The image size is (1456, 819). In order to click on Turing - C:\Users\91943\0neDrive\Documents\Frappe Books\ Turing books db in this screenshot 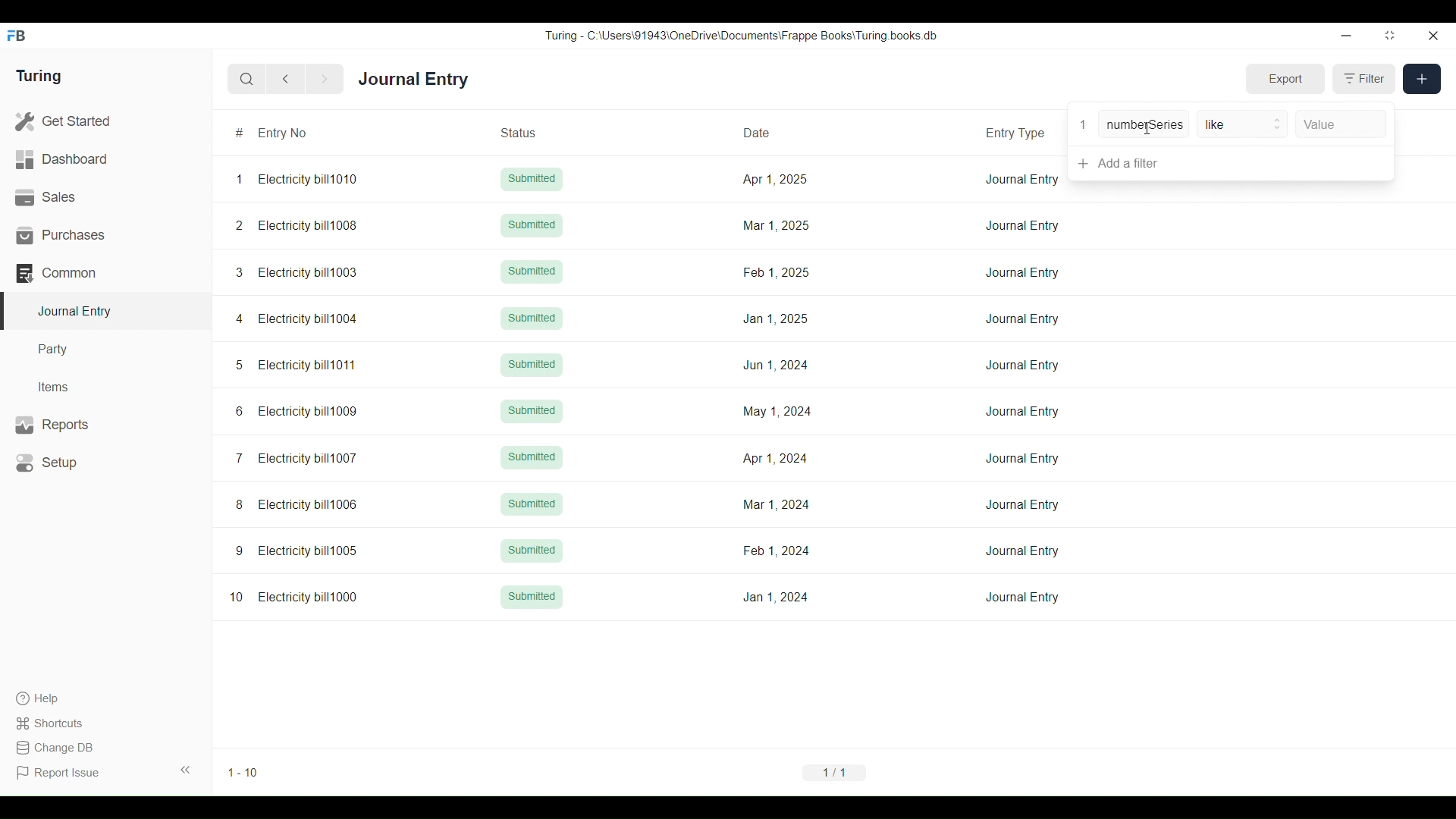, I will do `click(740, 36)`.